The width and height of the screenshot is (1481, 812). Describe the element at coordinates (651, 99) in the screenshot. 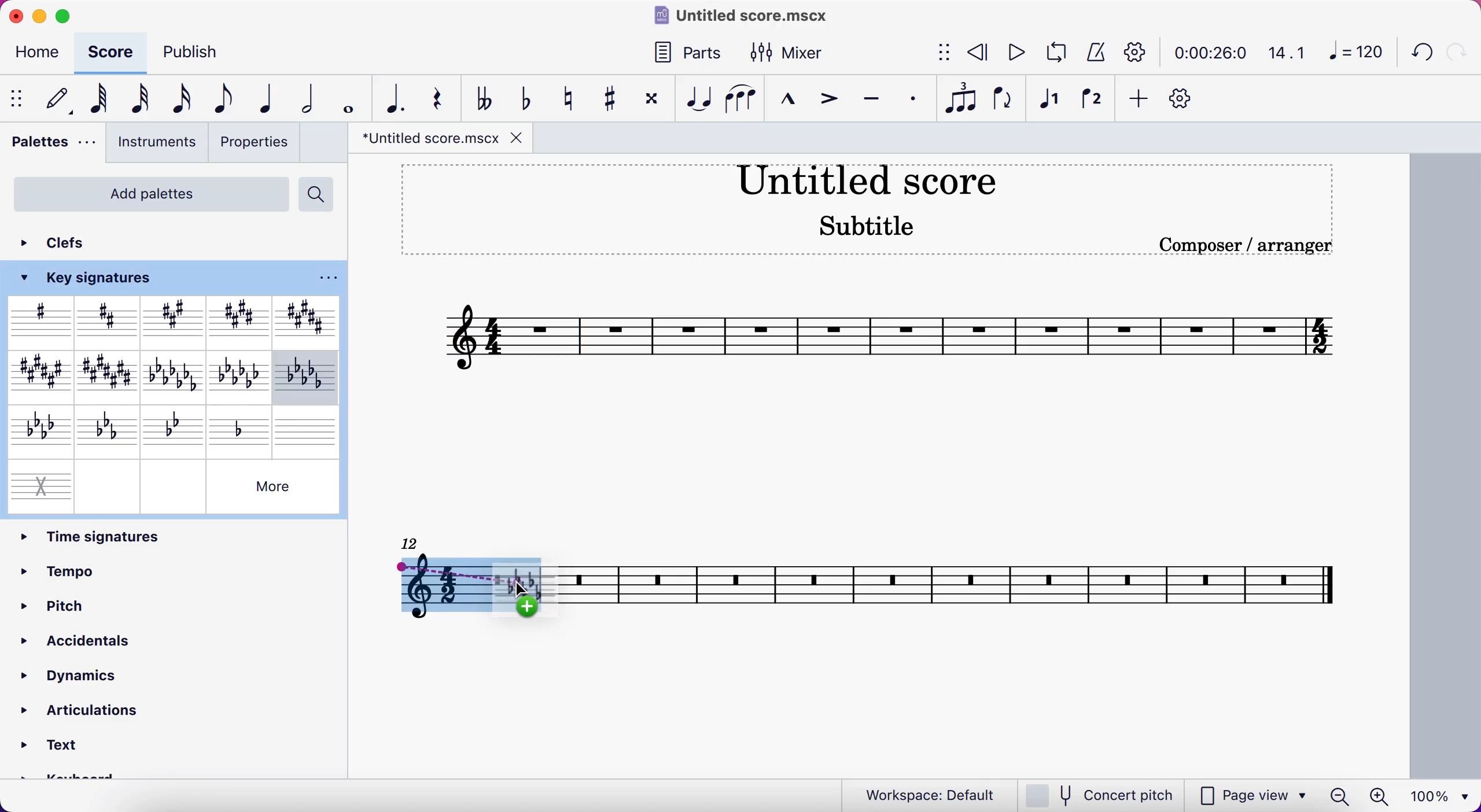

I see `toggle doble sharp` at that location.